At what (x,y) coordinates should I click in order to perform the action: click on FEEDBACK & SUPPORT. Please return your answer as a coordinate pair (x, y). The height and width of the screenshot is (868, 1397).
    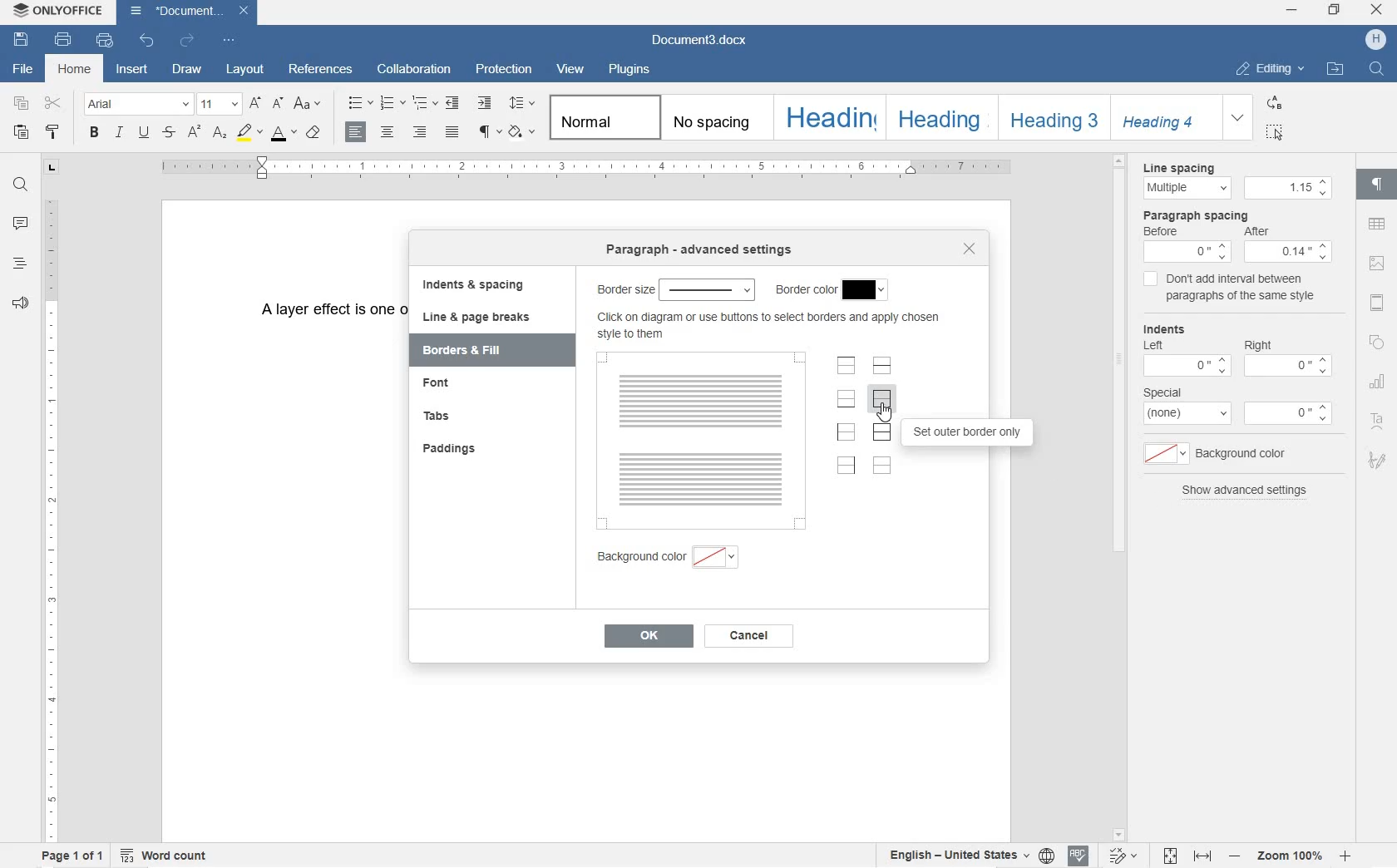
    Looking at the image, I should click on (20, 303).